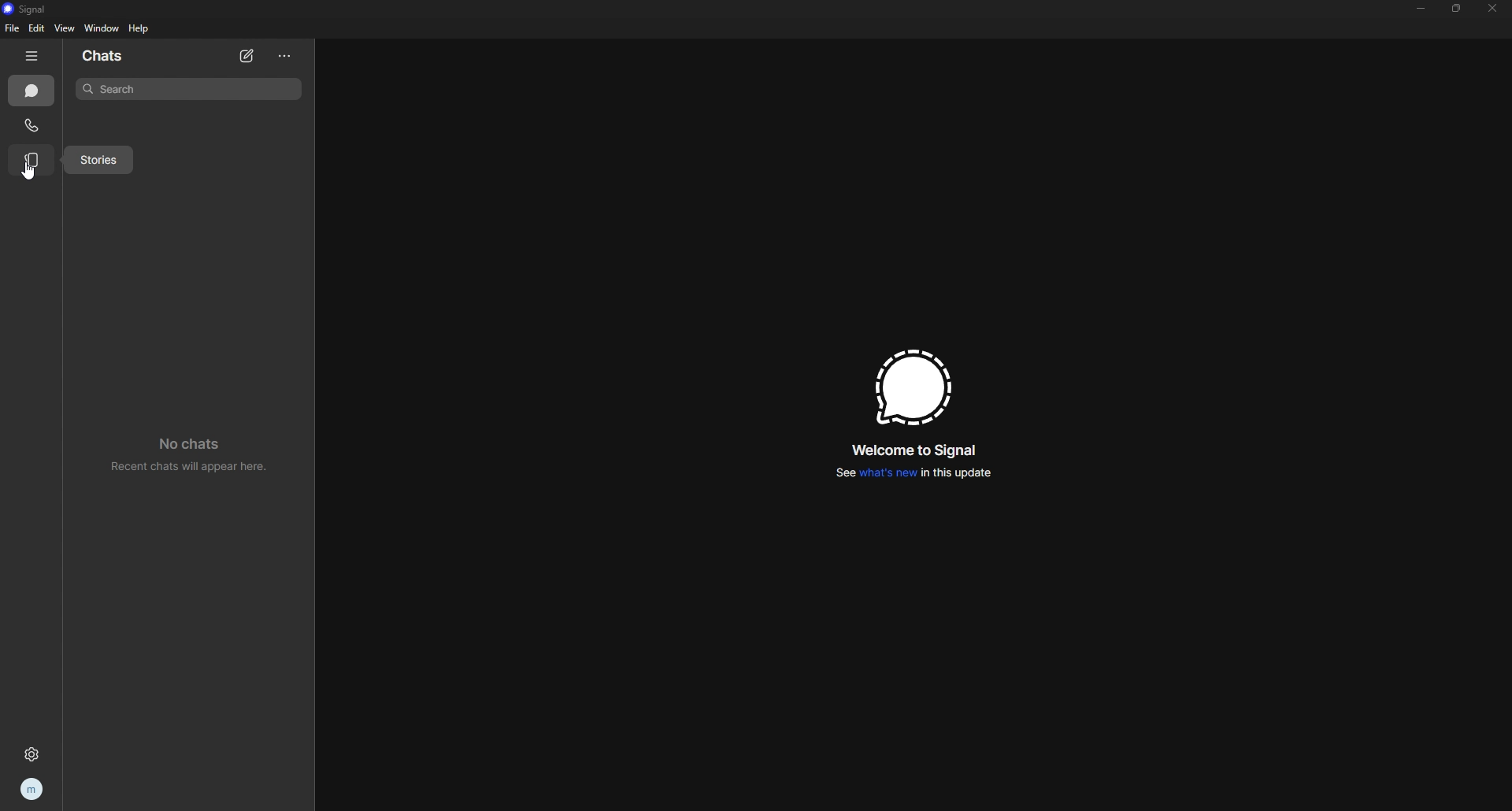 Image resolution: width=1512 pixels, height=811 pixels. What do you see at coordinates (33, 789) in the screenshot?
I see `profile` at bounding box center [33, 789].